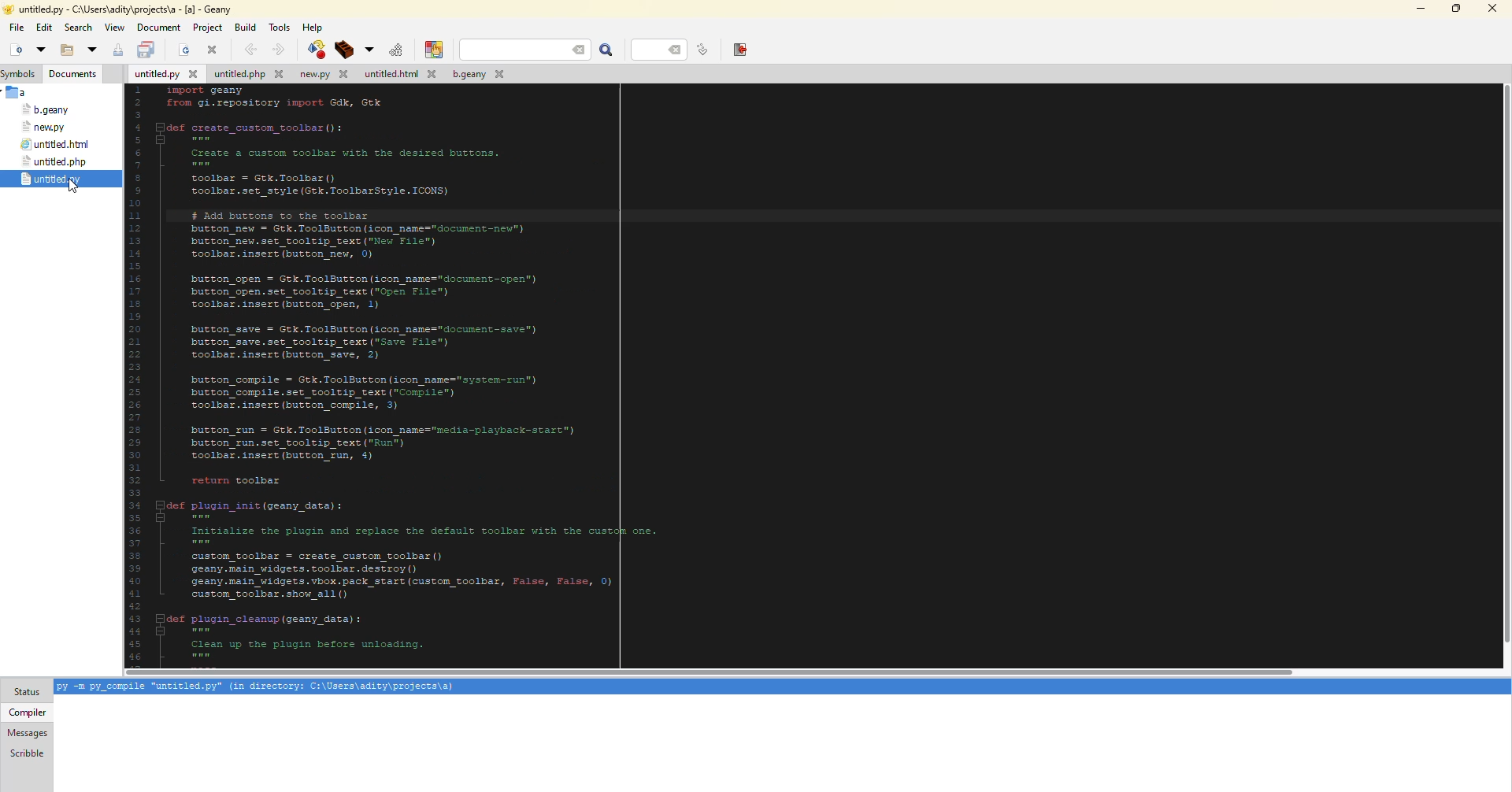  I want to click on scribble, so click(26, 753).